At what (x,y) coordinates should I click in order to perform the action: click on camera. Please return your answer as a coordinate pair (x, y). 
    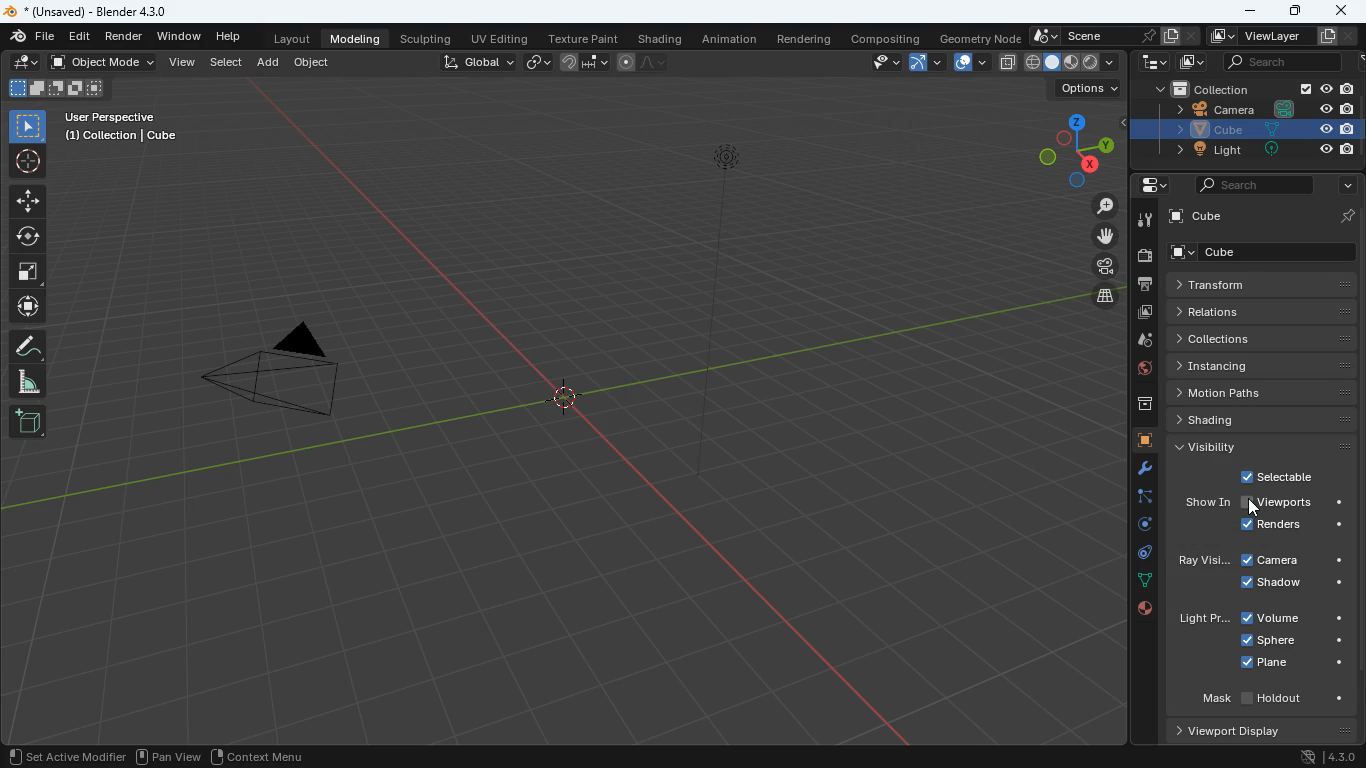
    Looking at the image, I should click on (1248, 110).